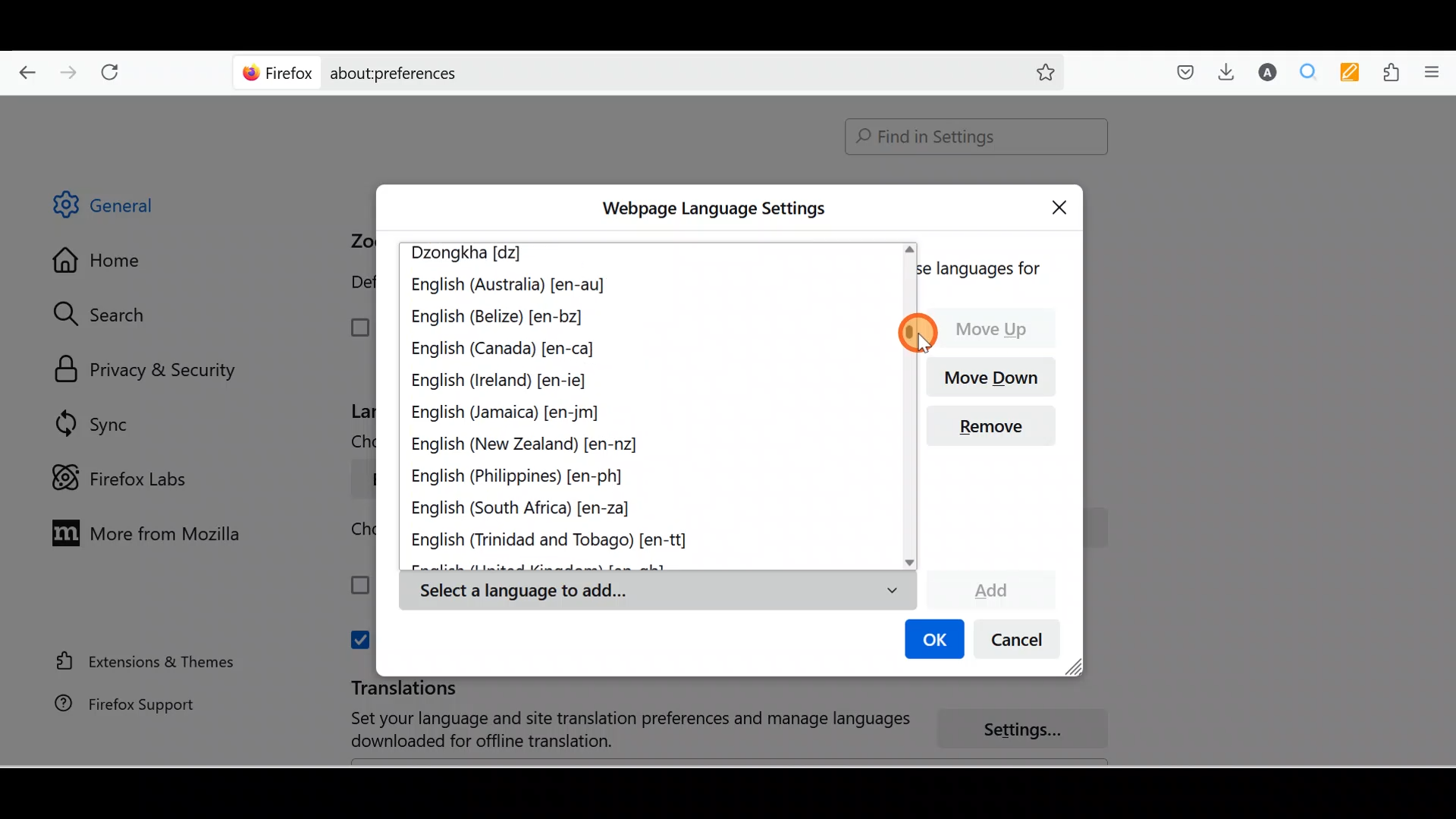 The width and height of the screenshot is (1456, 819). Describe the element at coordinates (1437, 71) in the screenshot. I see `Open application menu` at that location.